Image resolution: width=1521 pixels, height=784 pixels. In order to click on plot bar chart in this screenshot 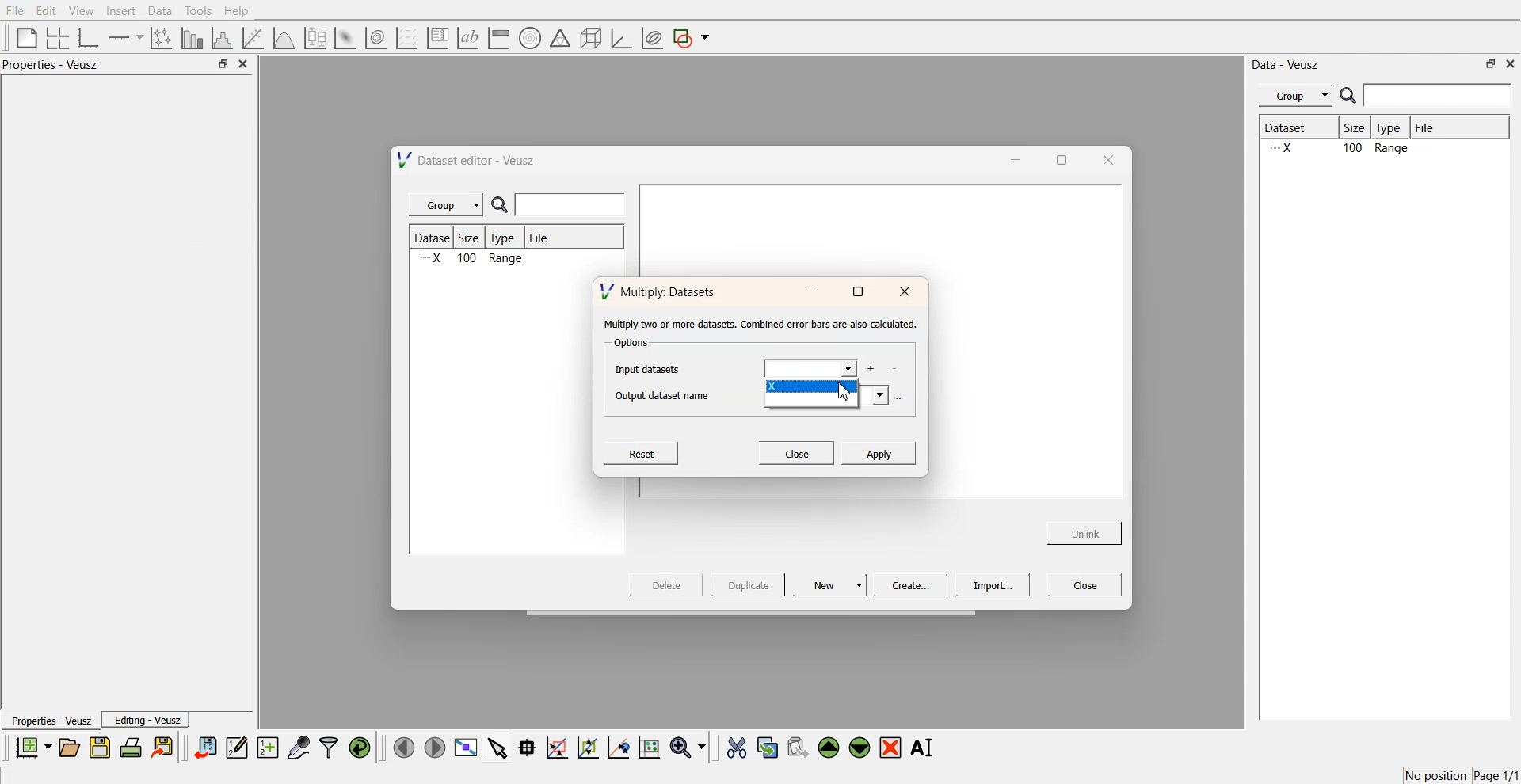, I will do `click(192, 39)`.